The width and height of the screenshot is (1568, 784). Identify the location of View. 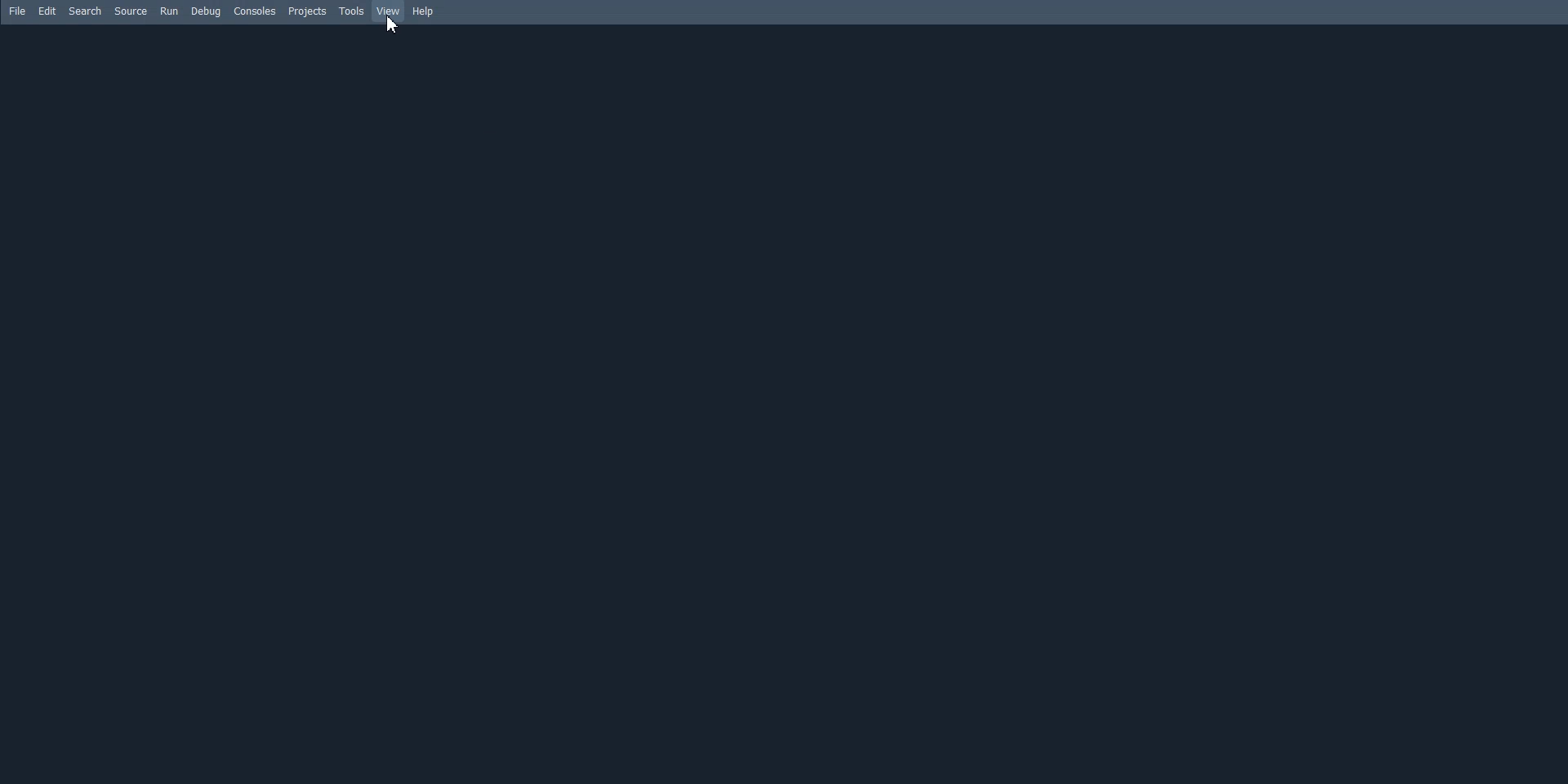
(389, 11).